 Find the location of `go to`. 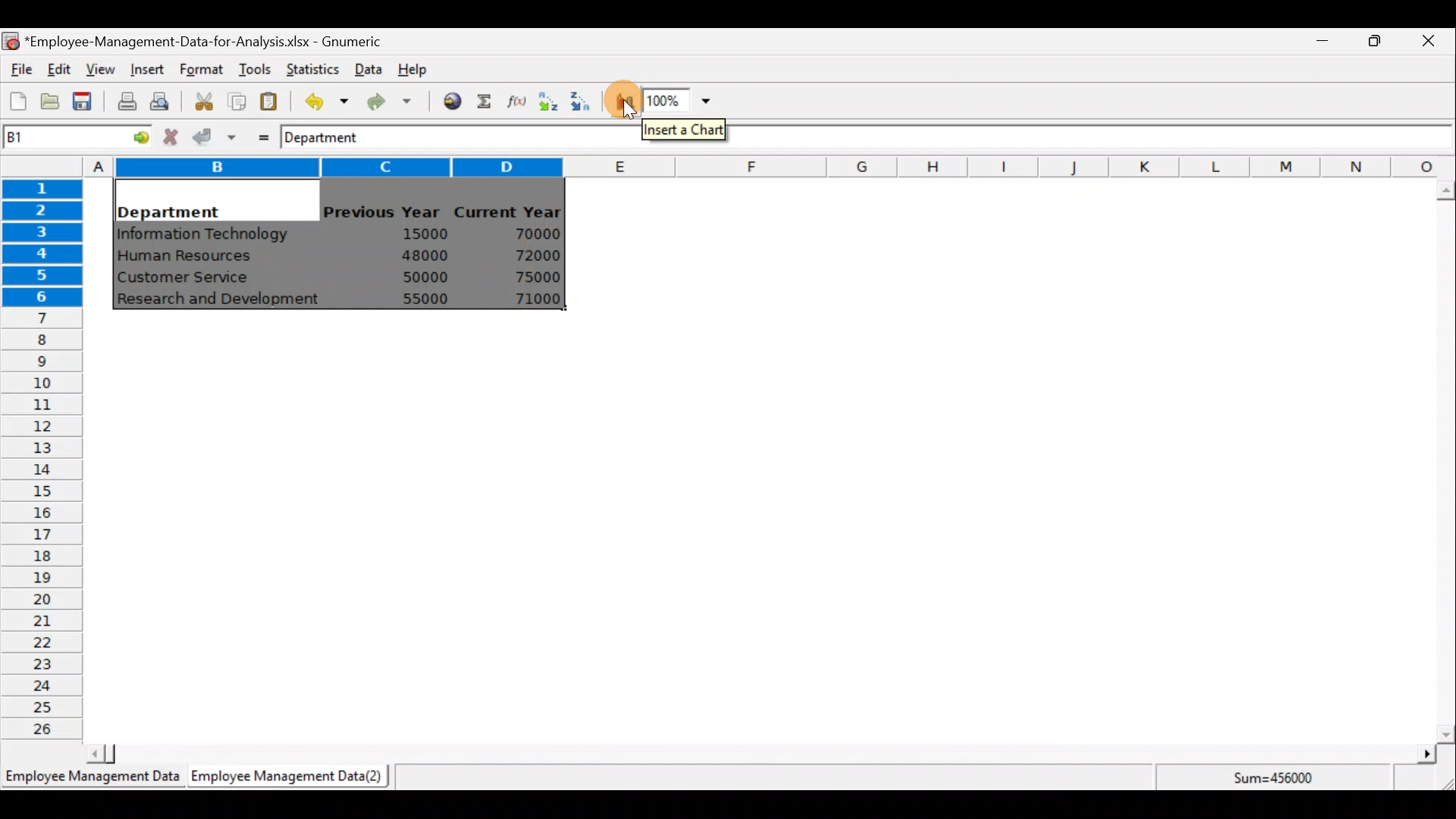

go to is located at coordinates (135, 135).